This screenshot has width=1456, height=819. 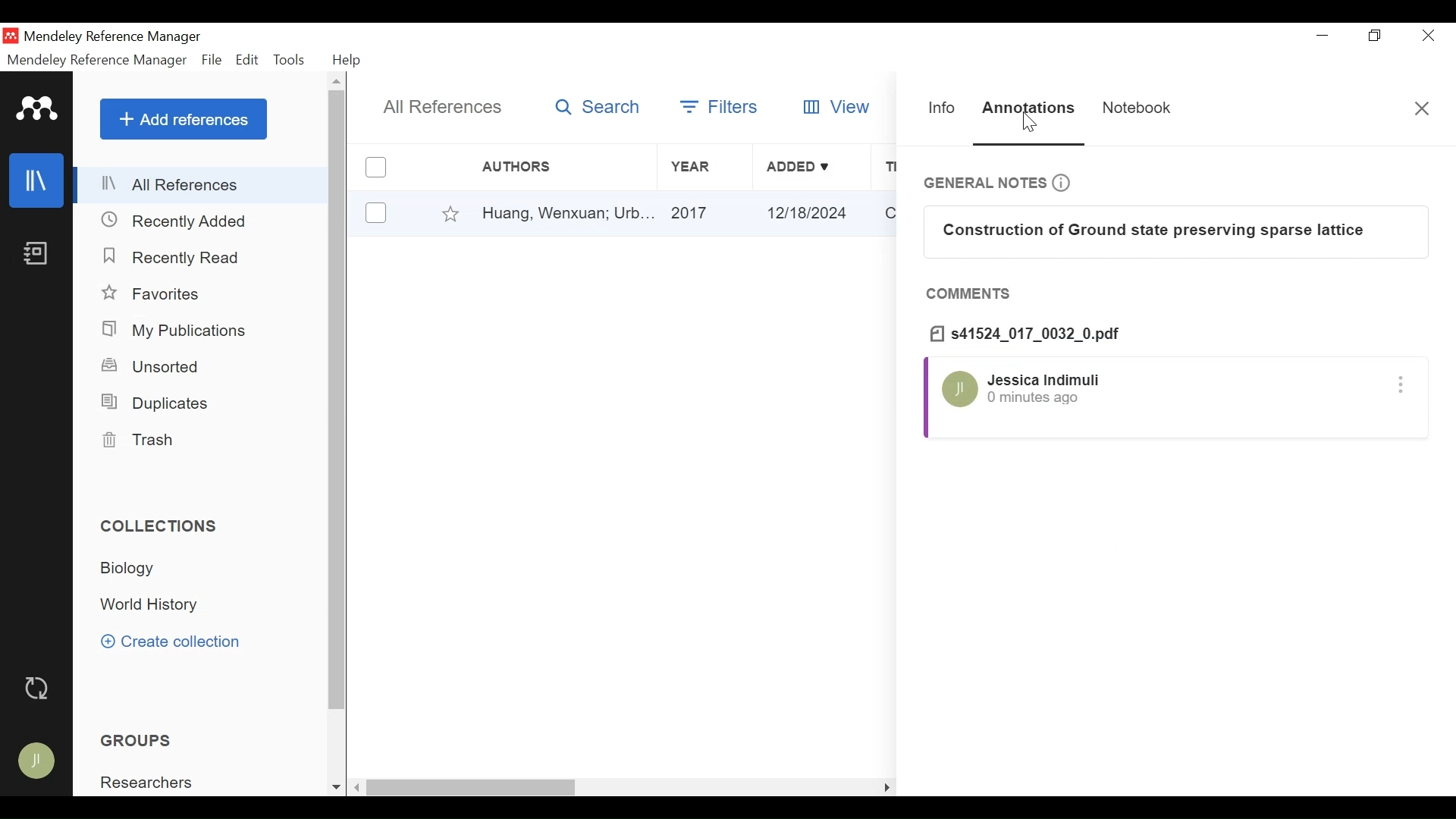 What do you see at coordinates (140, 441) in the screenshot?
I see `Trash` at bounding box center [140, 441].